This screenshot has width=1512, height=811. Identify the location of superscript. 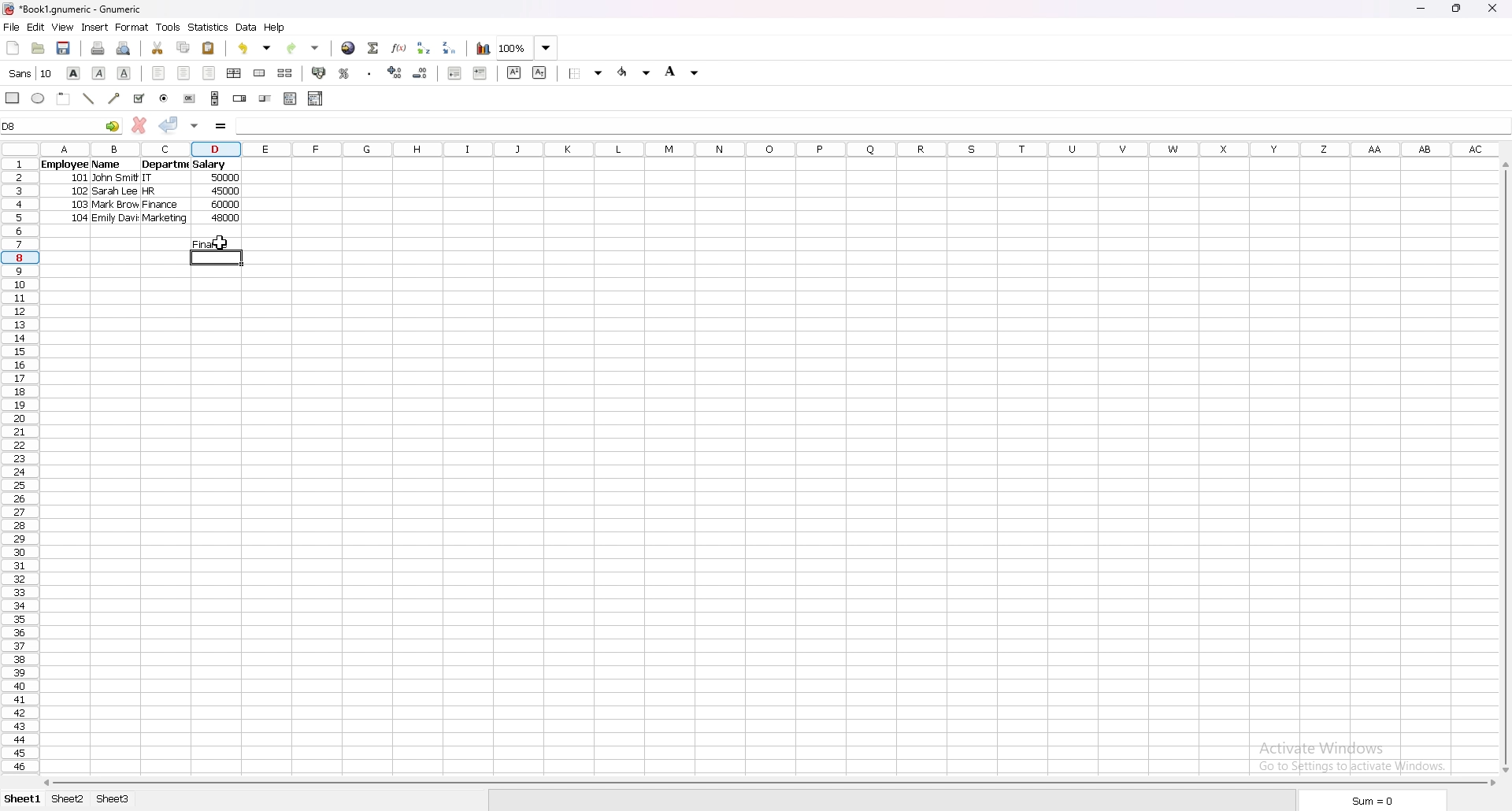
(514, 72).